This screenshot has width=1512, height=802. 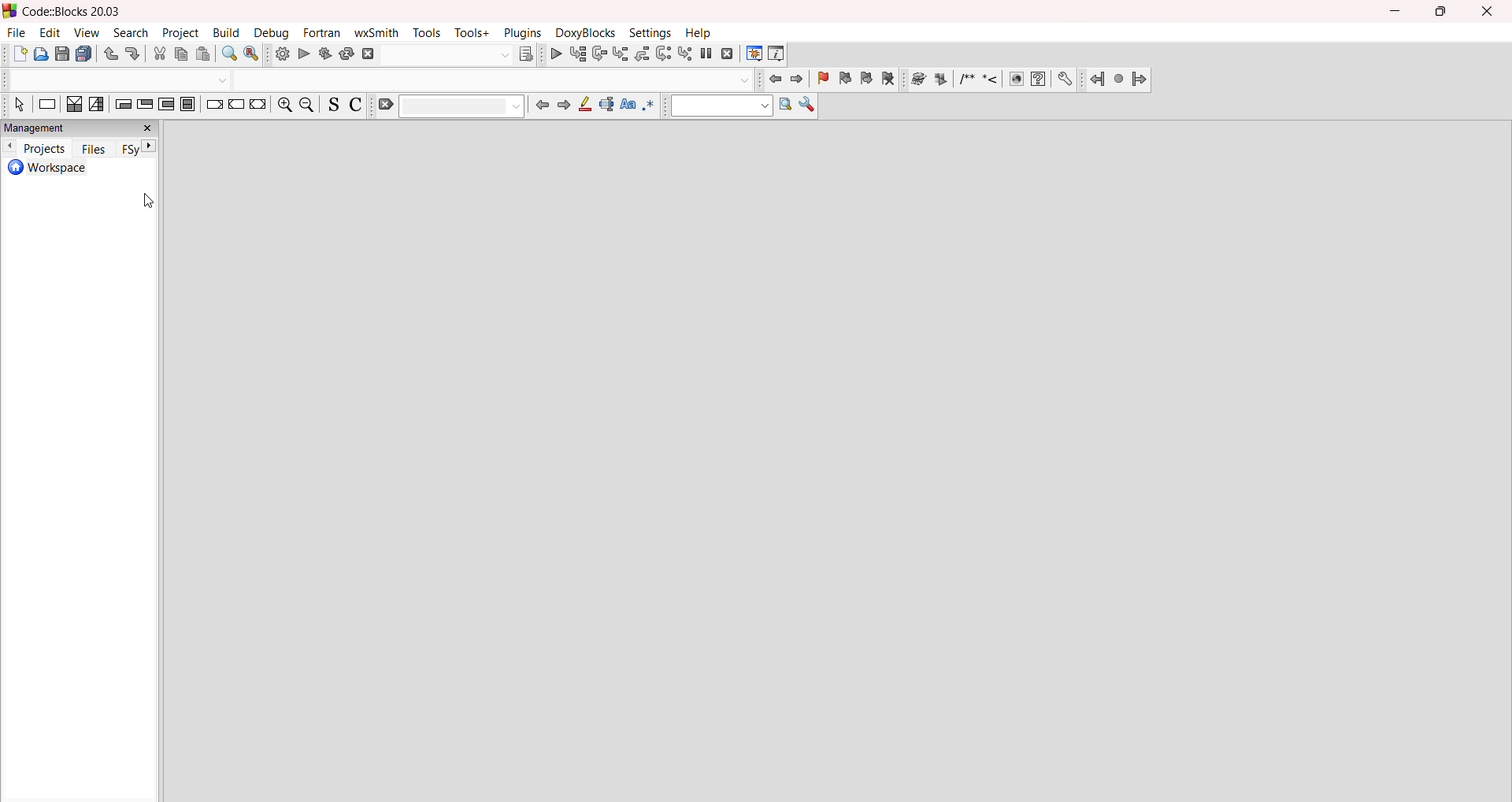 I want to click on search, so click(x=132, y=33).